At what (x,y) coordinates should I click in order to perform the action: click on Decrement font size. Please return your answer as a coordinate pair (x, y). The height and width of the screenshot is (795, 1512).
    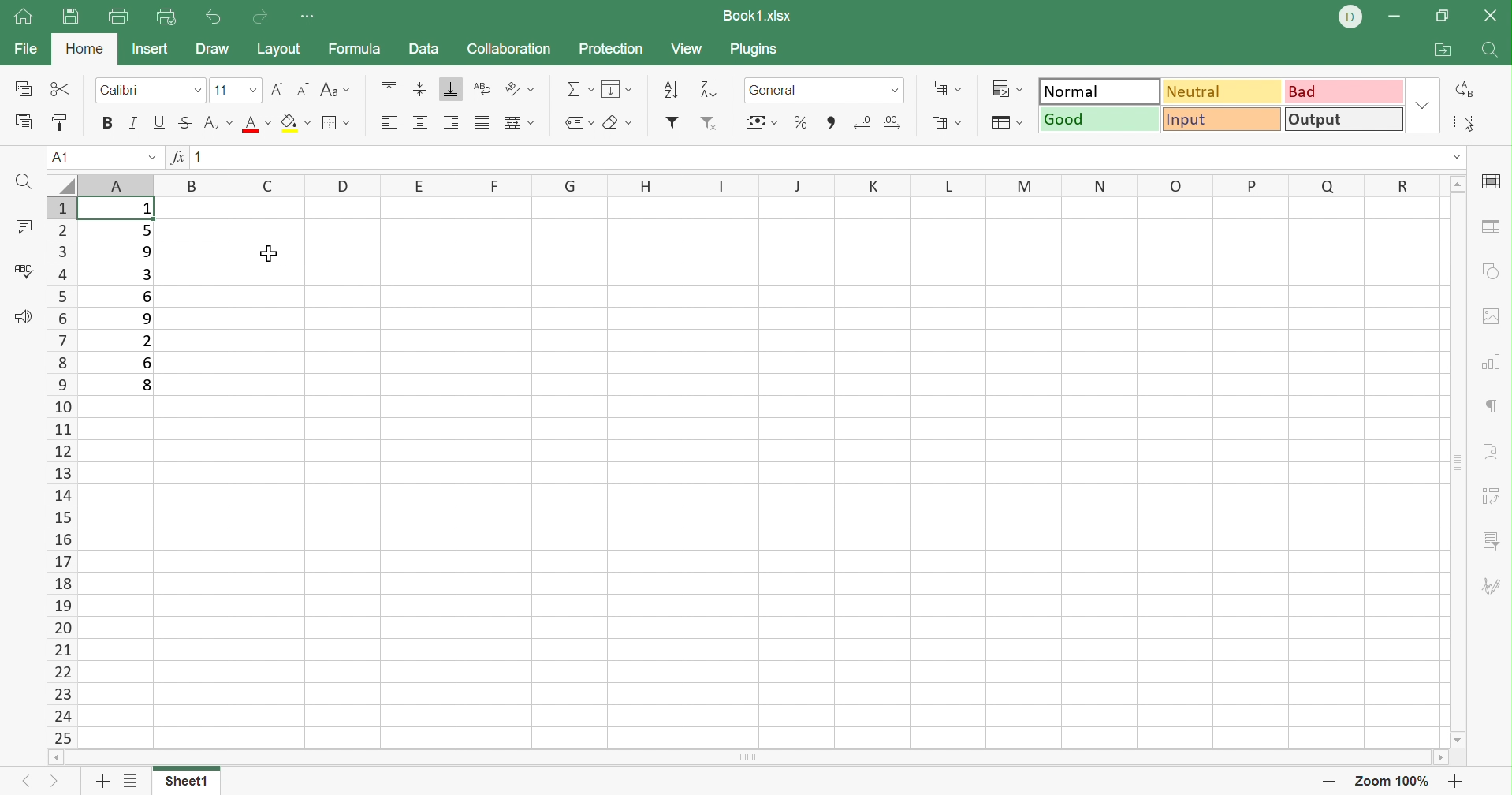
    Looking at the image, I should click on (304, 90).